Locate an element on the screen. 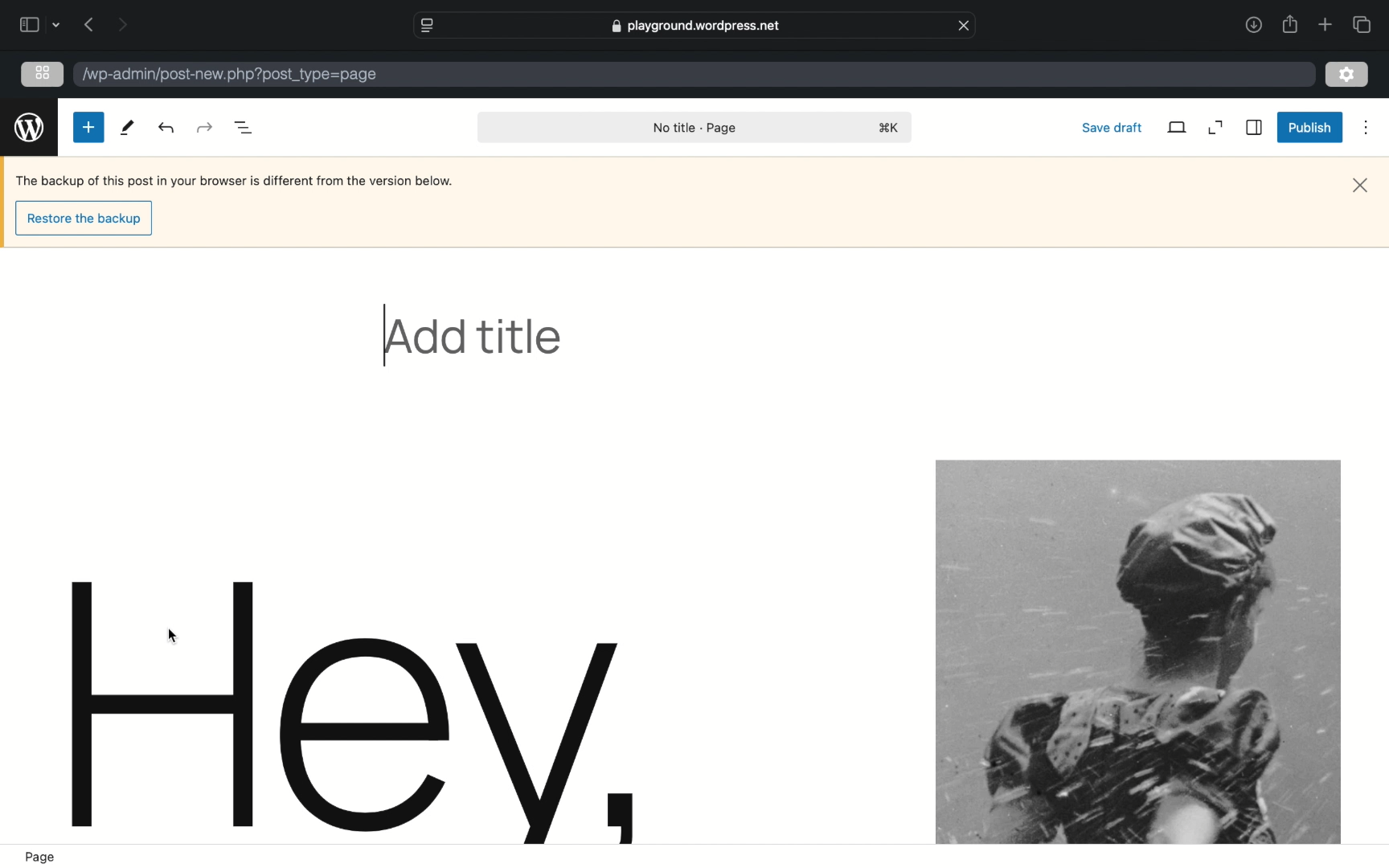  settings is located at coordinates (1347, 76).